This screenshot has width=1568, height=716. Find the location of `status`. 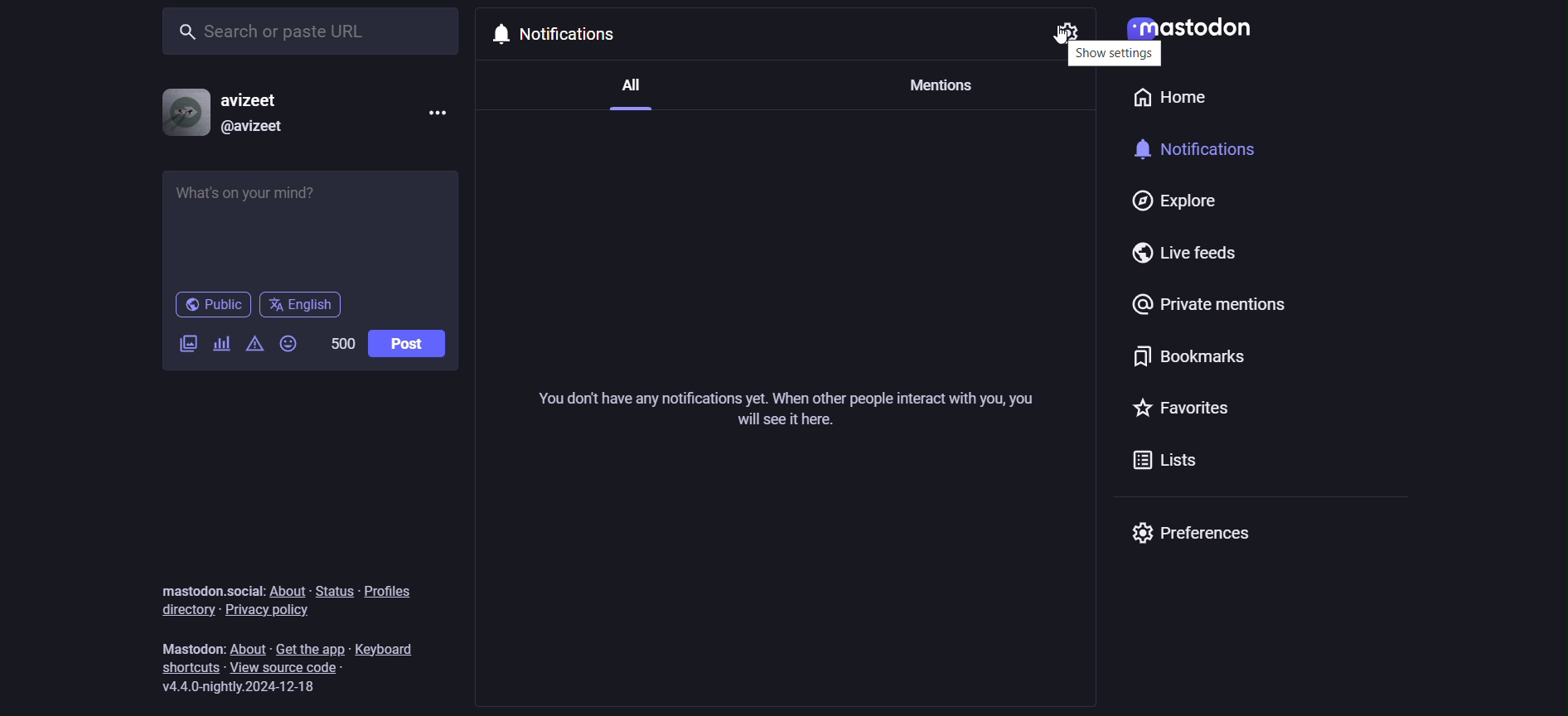

status is located at coordinates (332, 591).